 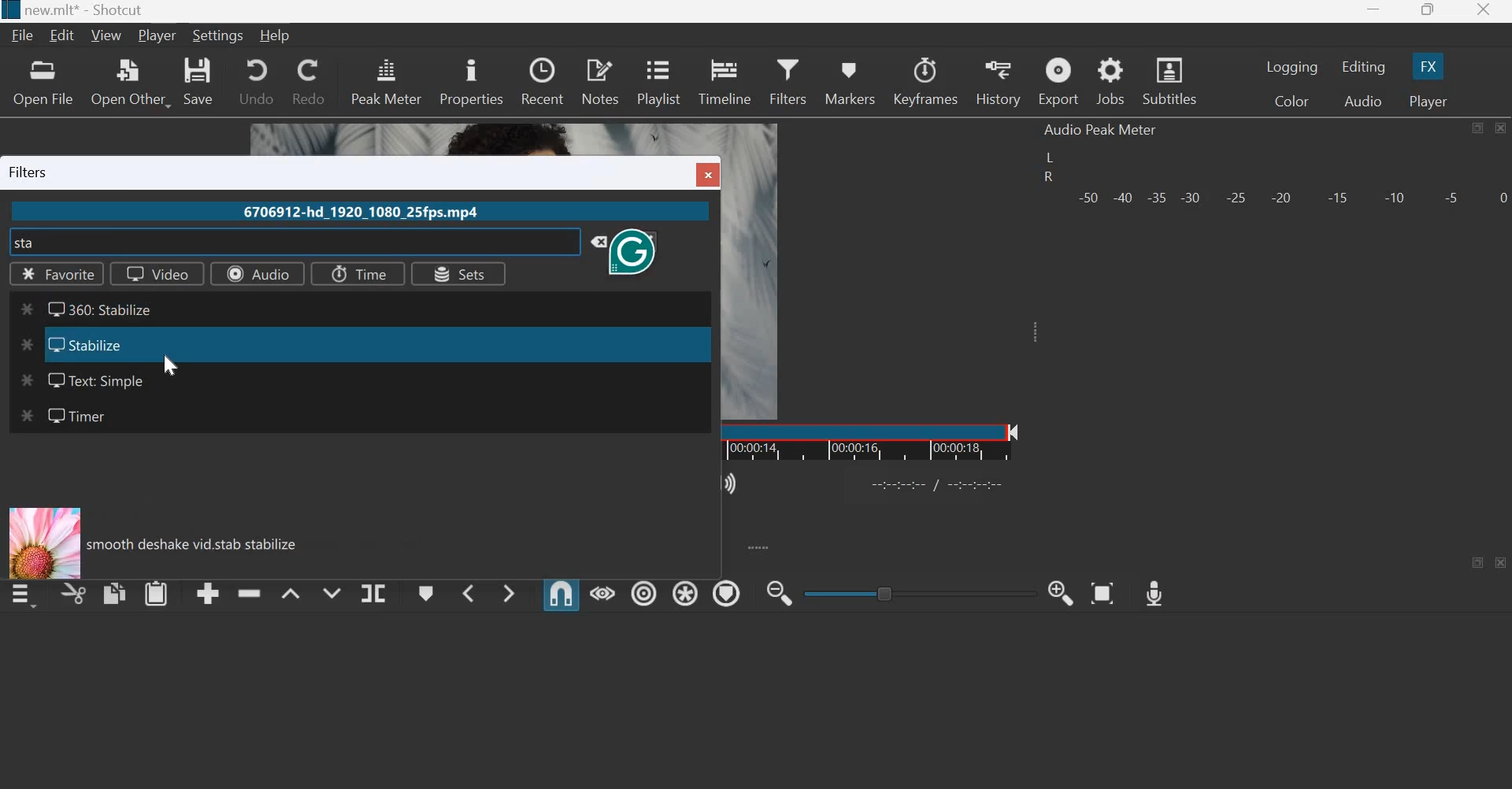 I want to click on save, so click(x=202, y=83).